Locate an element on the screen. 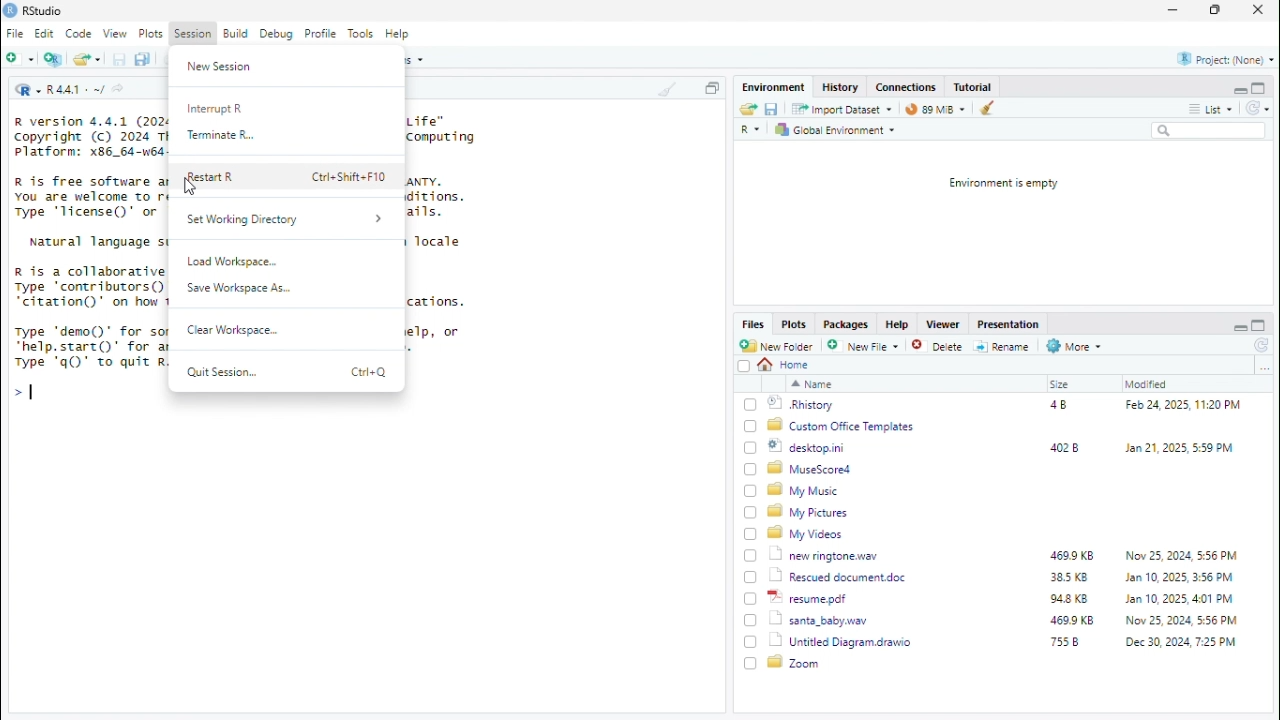  search box is located at coordinates (1209, 130).